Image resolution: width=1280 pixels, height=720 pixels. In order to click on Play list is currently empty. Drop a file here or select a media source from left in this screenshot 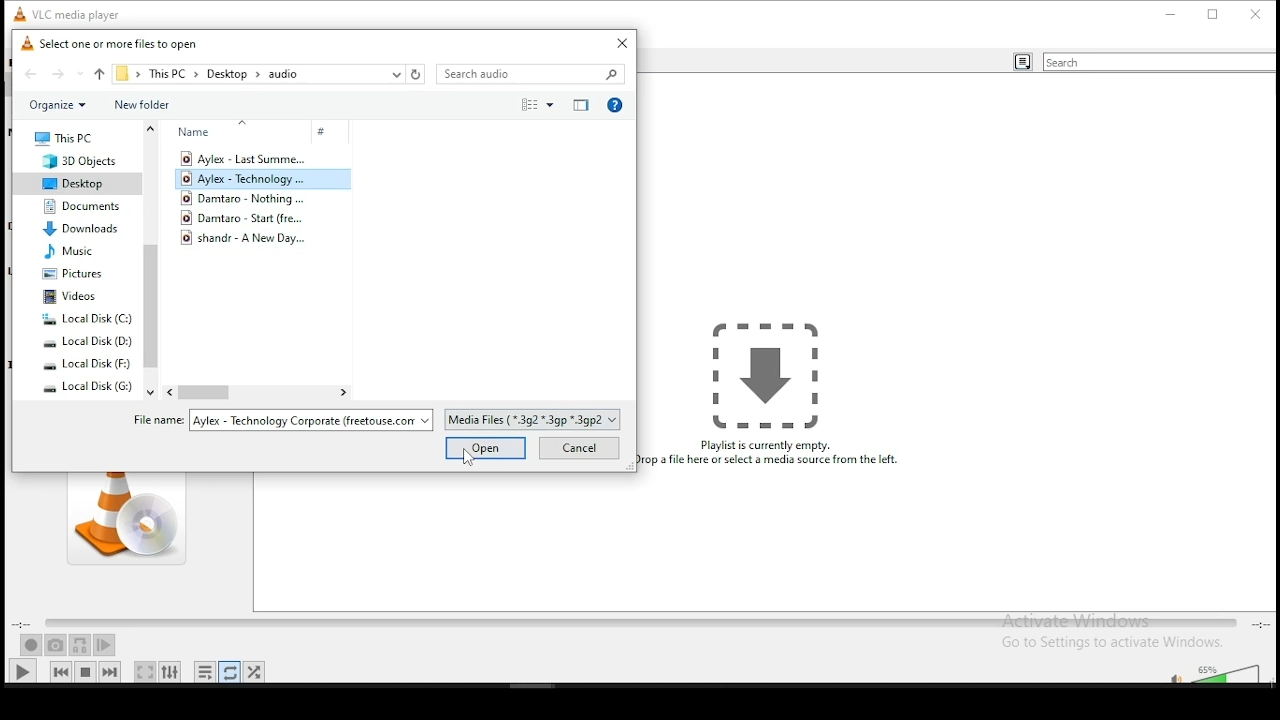, I will do `click(774, 395)`.